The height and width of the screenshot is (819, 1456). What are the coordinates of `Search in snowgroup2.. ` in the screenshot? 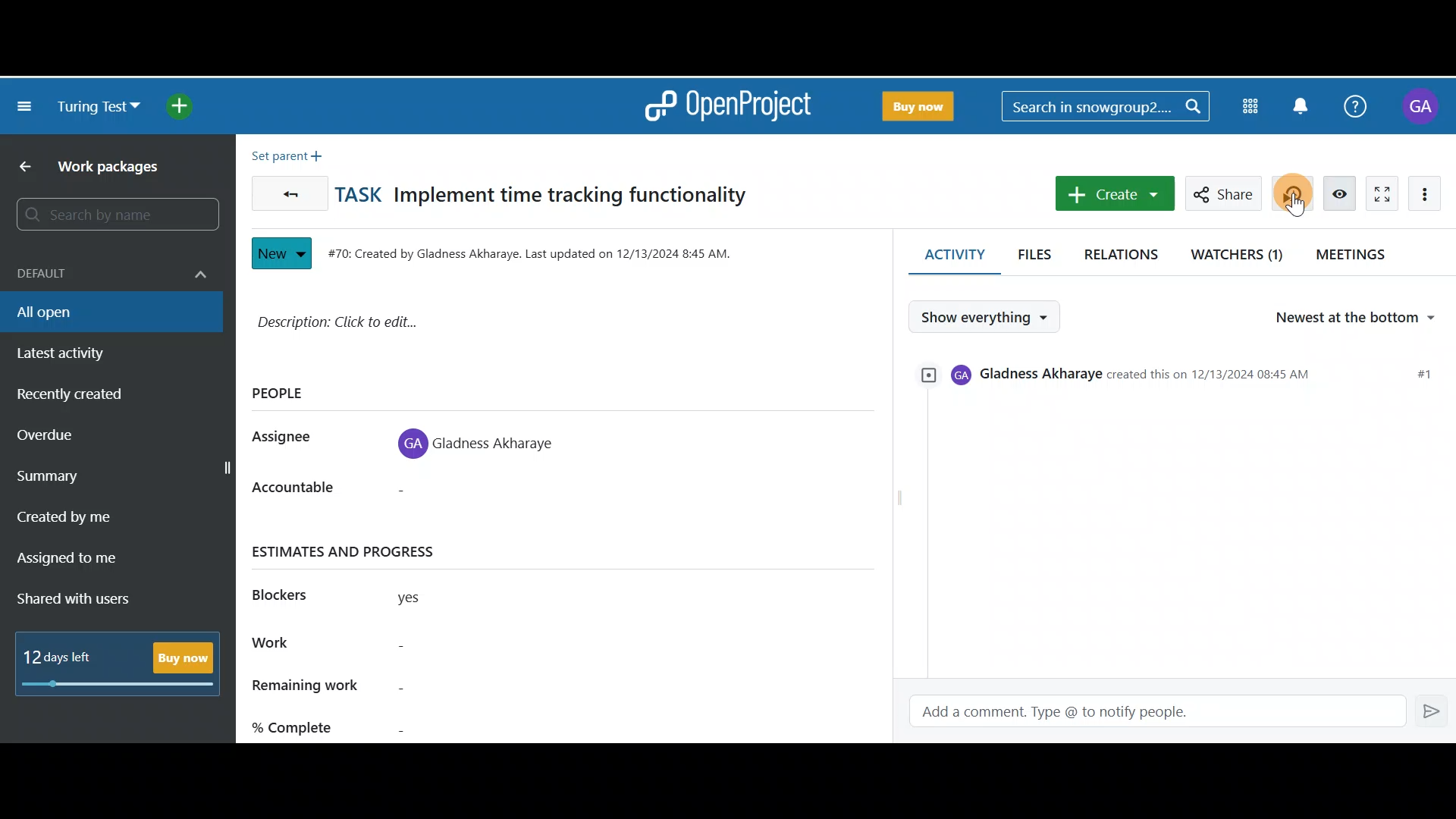 It's located at (1103, 106).